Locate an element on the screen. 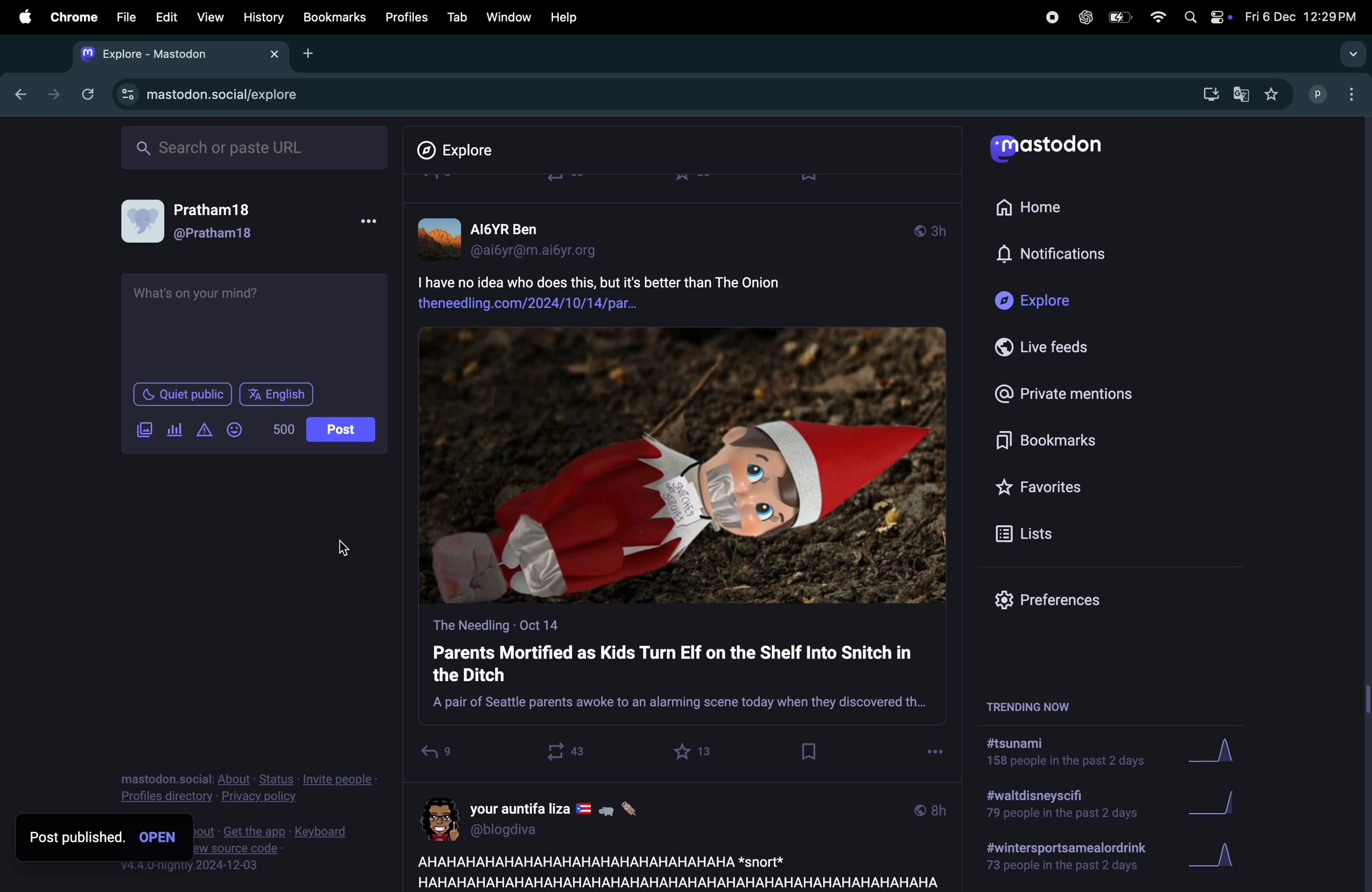  prefrences is located at coordinates (1057, 603).